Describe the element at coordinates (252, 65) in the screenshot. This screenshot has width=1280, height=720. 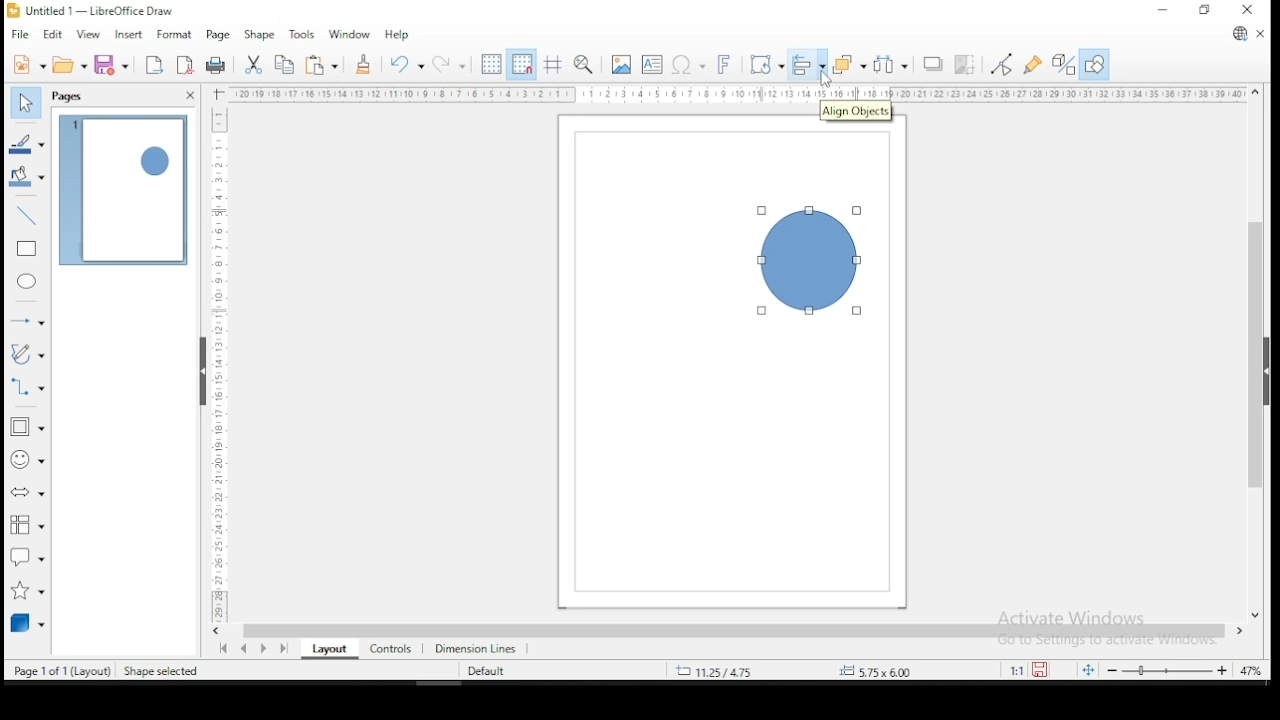
I see `cut` at that location.